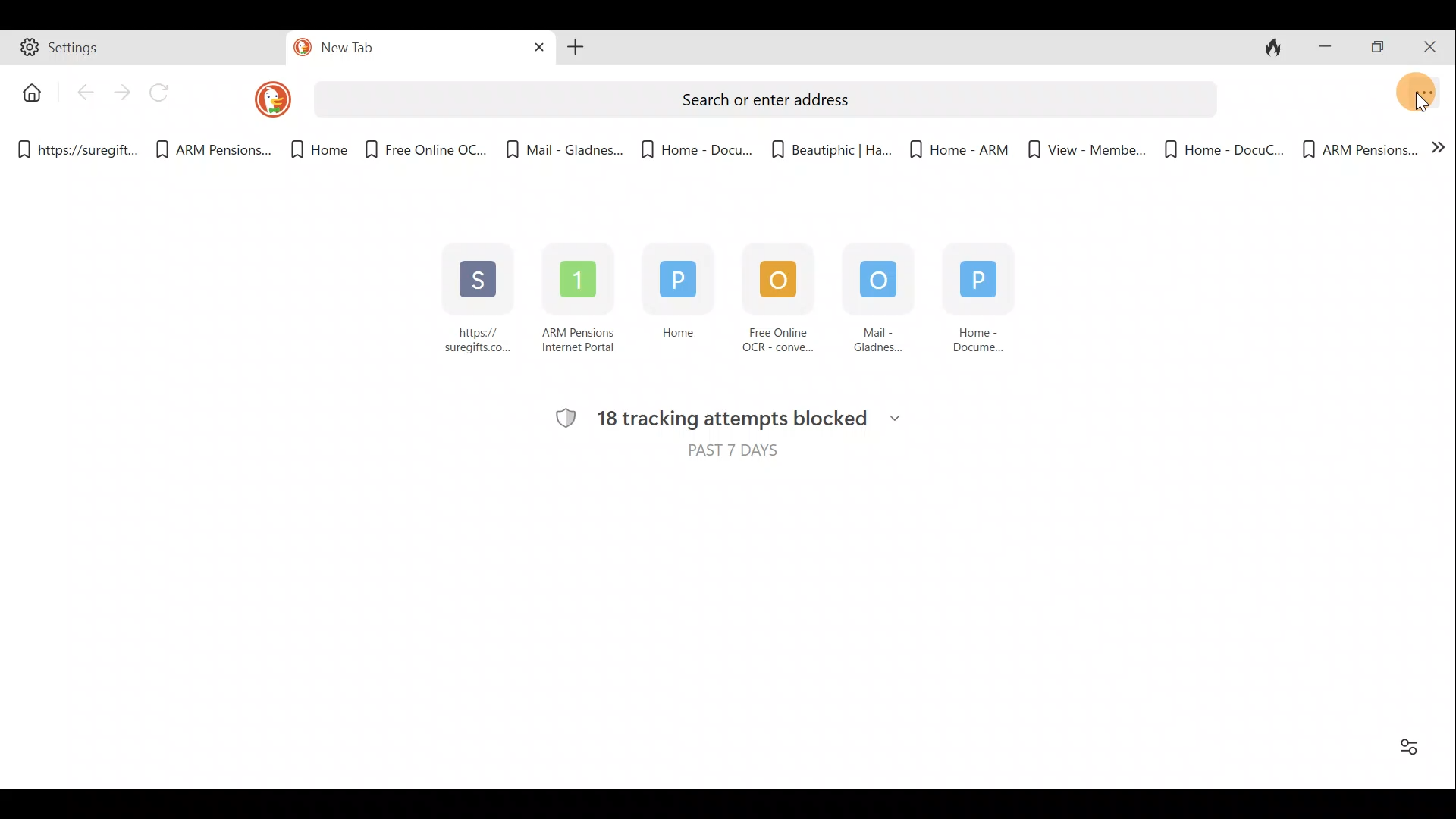 The image size is (1456, 819). What do you see at coordinates (828, 146) in the screenshot?
I see `Beautiphic | Ha` at bounding box center [828, 146].